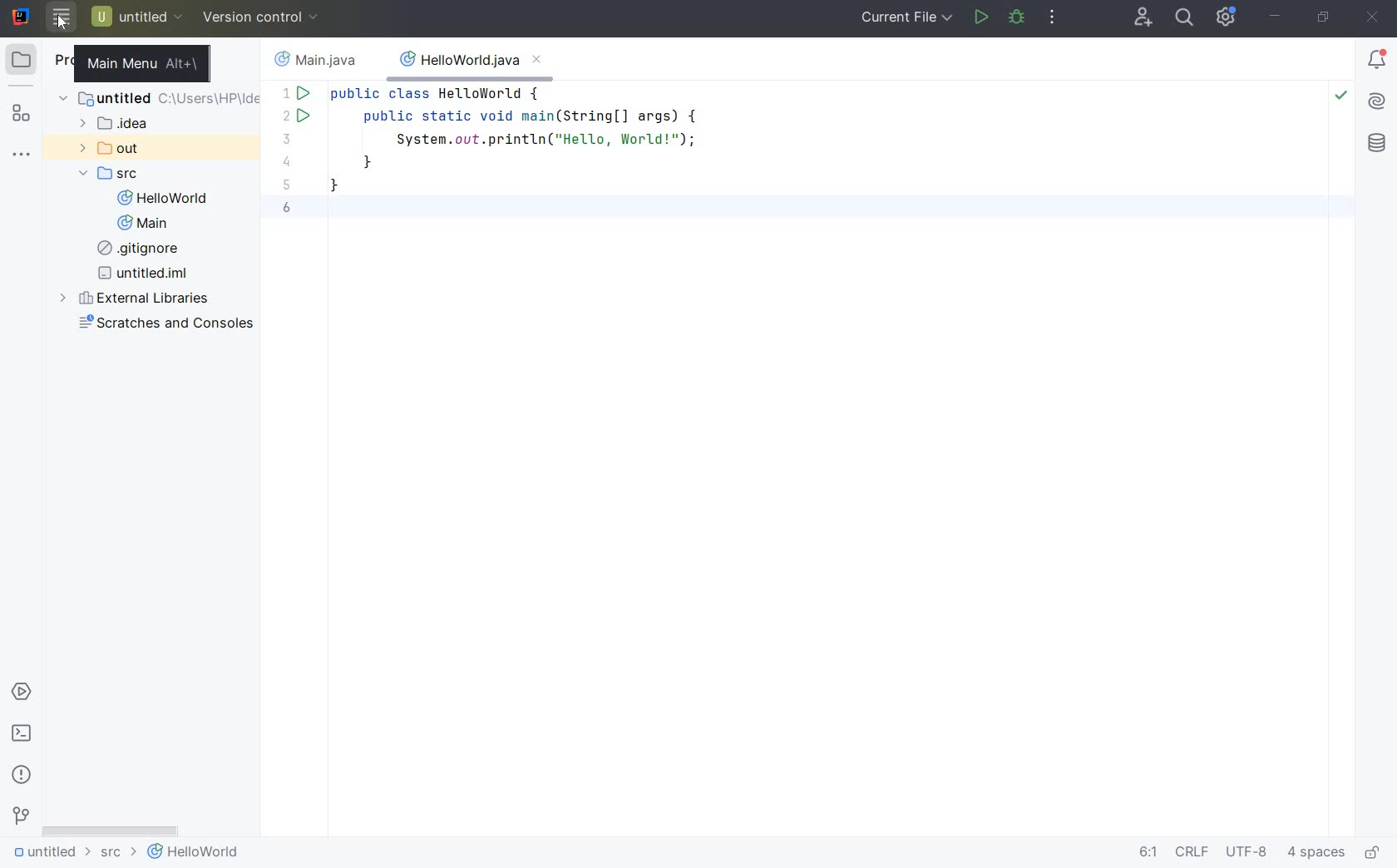 This screenshot has width=1397, height=868. What do you see at coordinates (1325, 18) in the screenshot?
I see `restore down` at bounding box center [1325, 18].